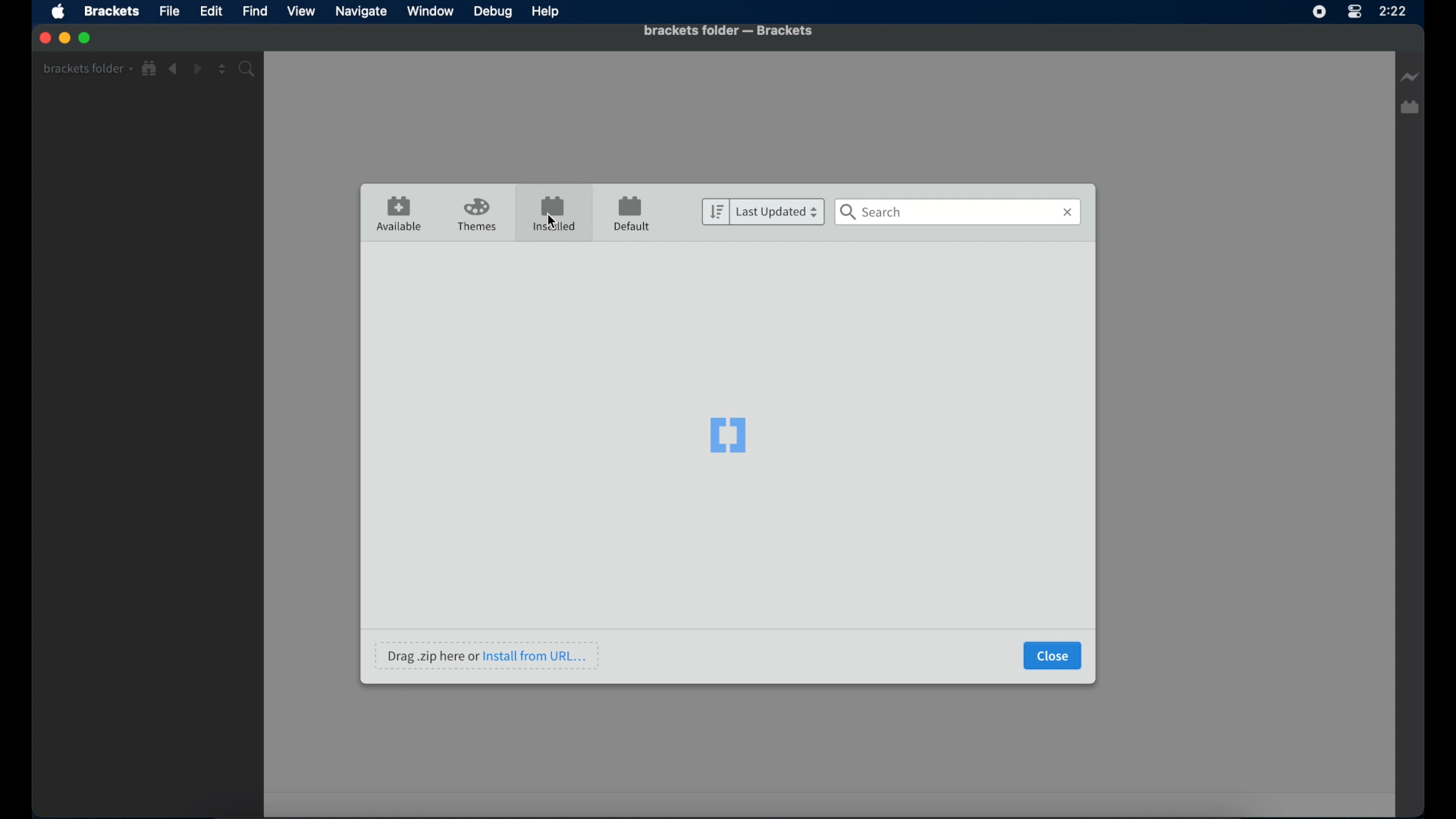 The width and height of the screenshot is (1456, 819). Describe the element at coordinates (1401, 20) in the screenshot. I see `2:22` at that location.